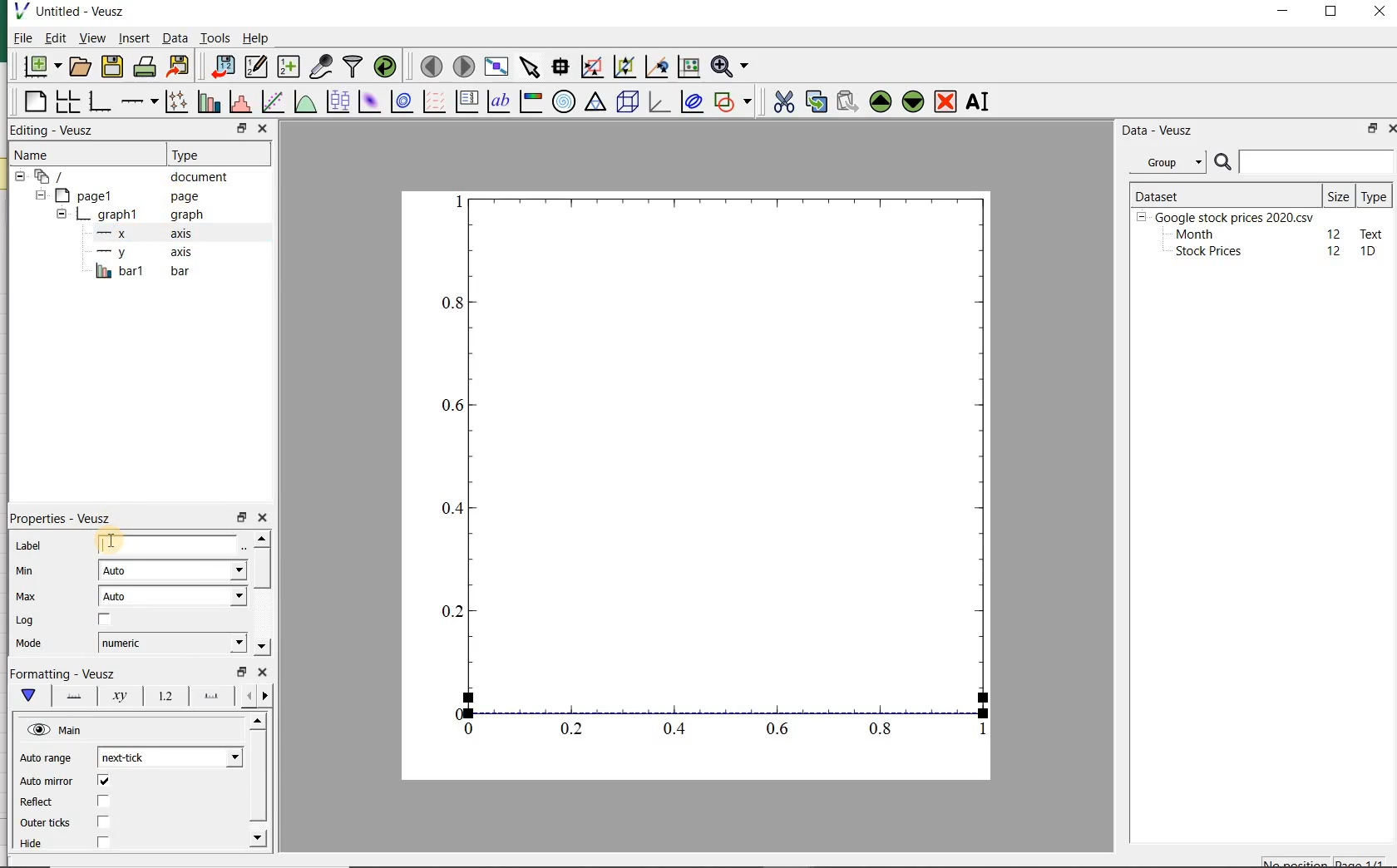  What do you see at coordinates (121, 196) in the screenshot?
I see `page1` at bounding box center [121, 196].